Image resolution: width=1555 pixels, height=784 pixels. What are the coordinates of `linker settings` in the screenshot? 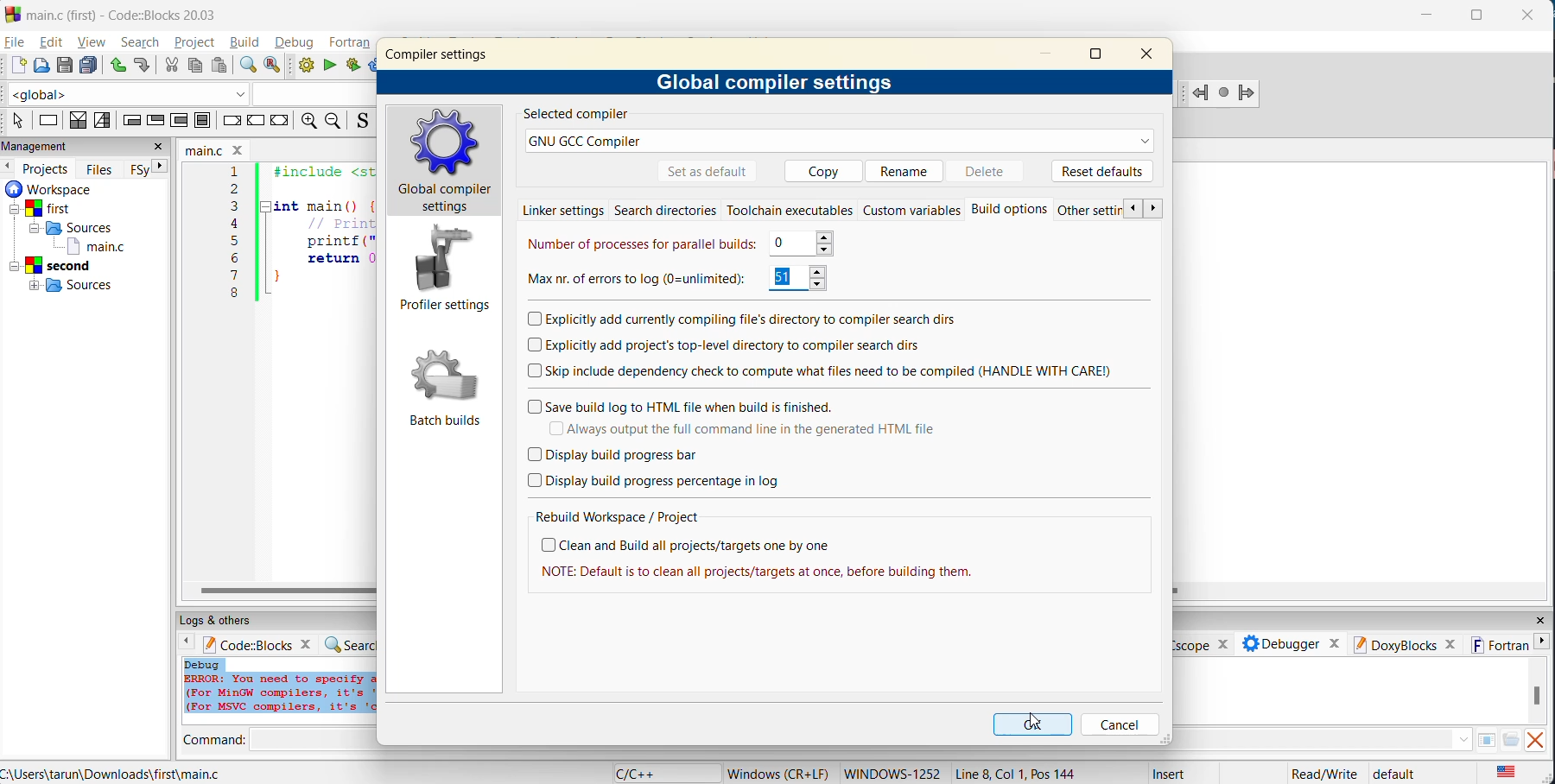 It's located at (559, 210).